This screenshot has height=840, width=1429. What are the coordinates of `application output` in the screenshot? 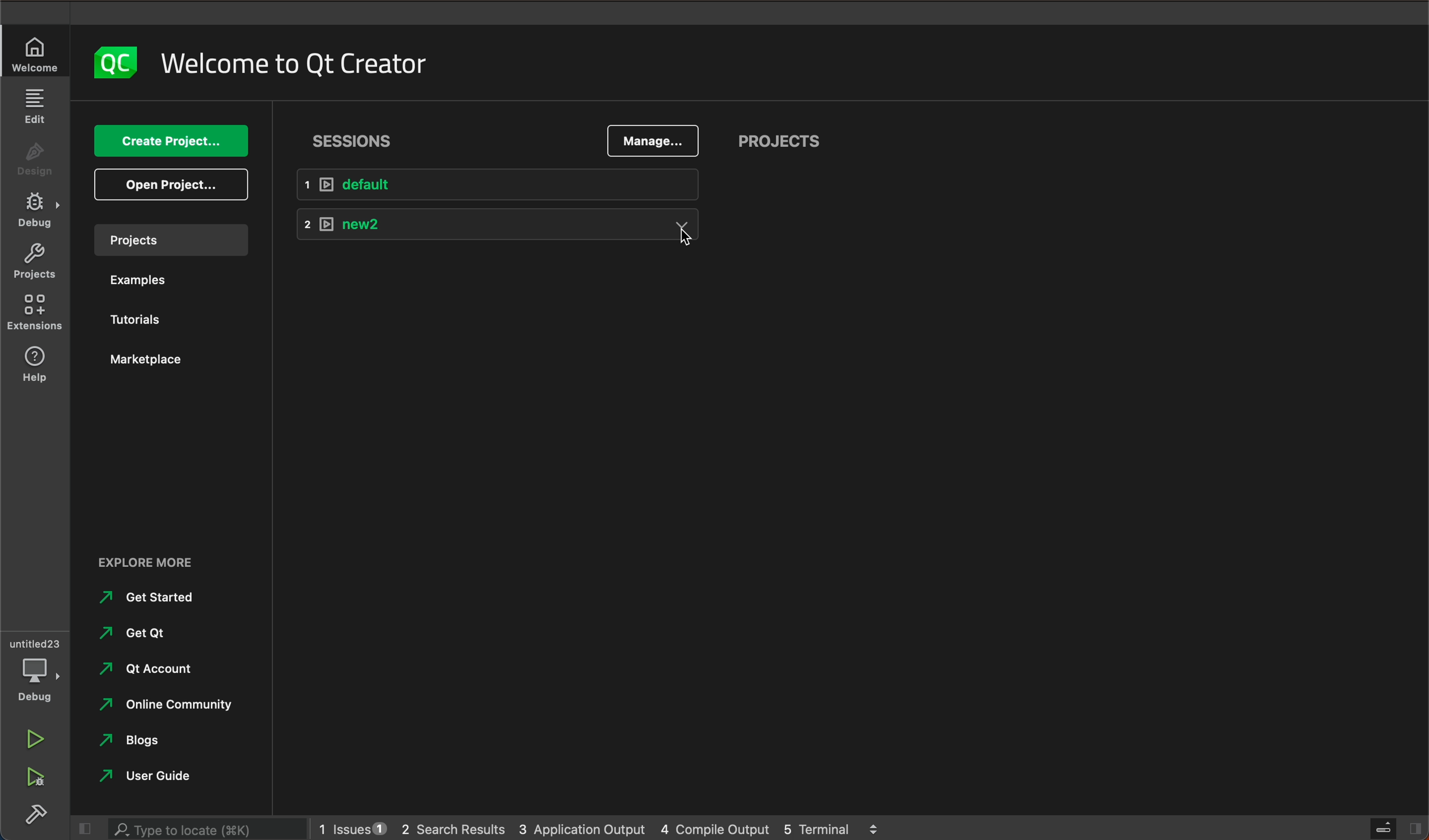 It's located at (581, 825).